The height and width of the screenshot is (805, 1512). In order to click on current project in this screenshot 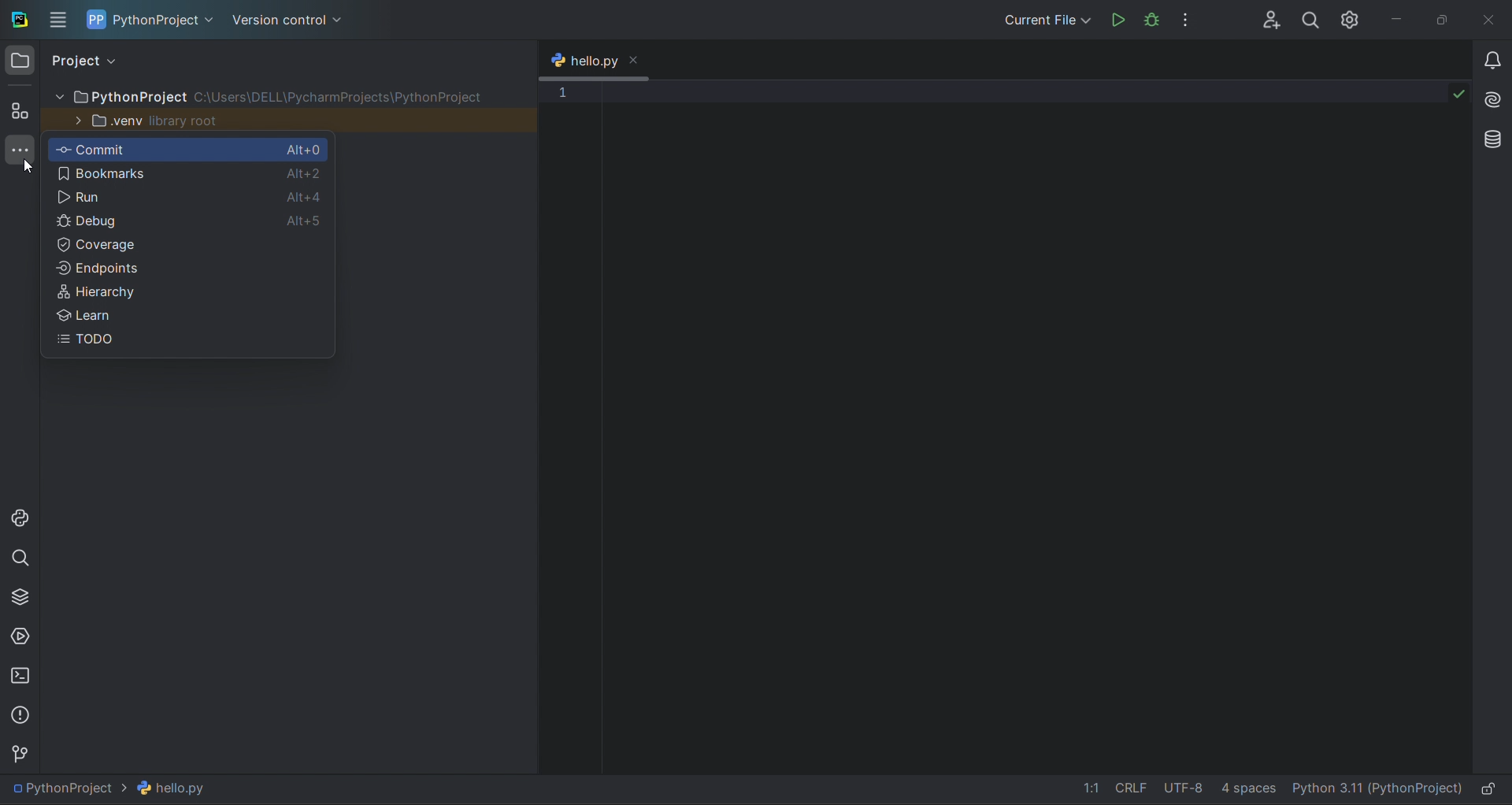, I will do `click(165, 24)`.